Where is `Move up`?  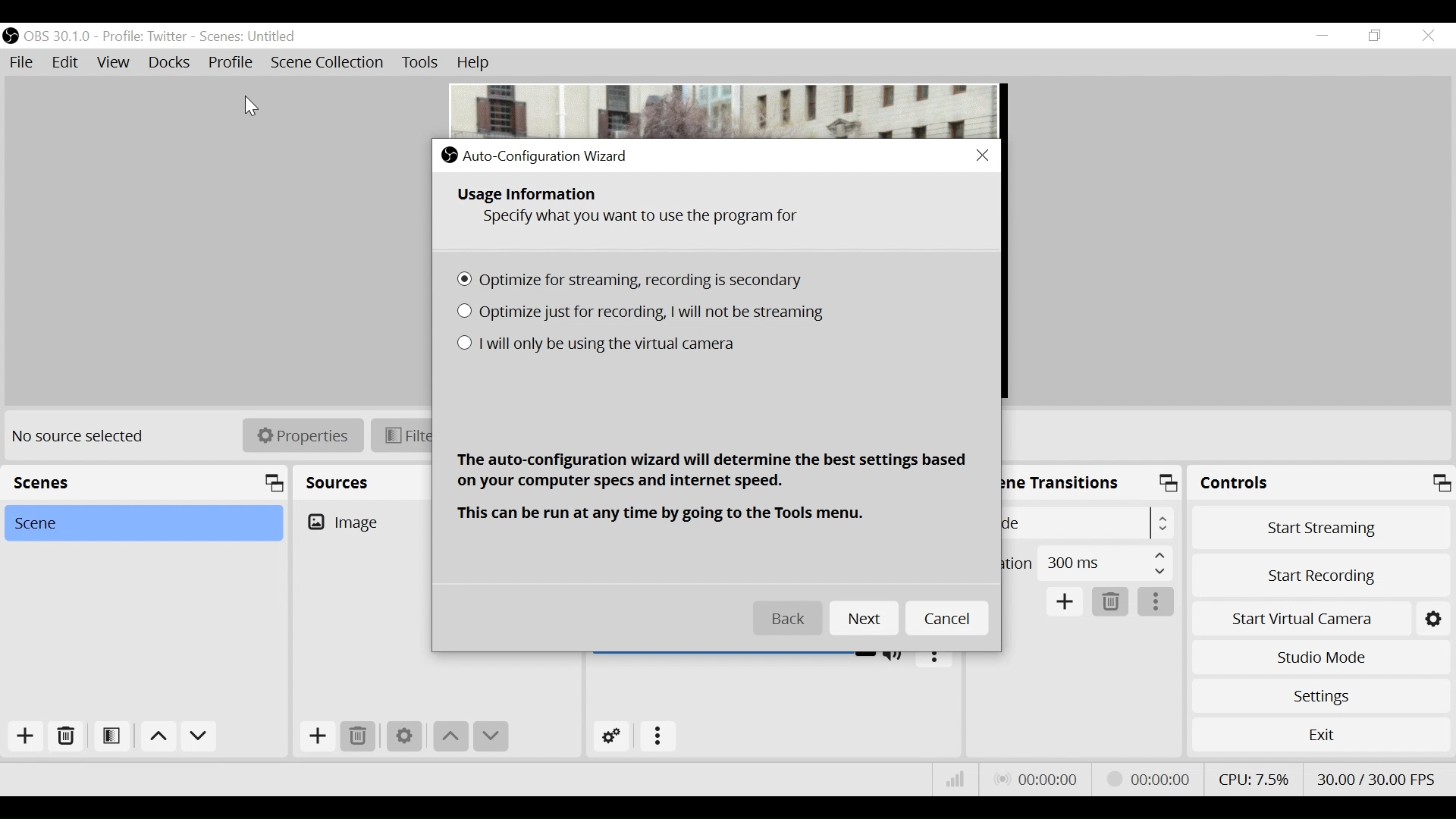
Move up is located at coordinates (450, 736).